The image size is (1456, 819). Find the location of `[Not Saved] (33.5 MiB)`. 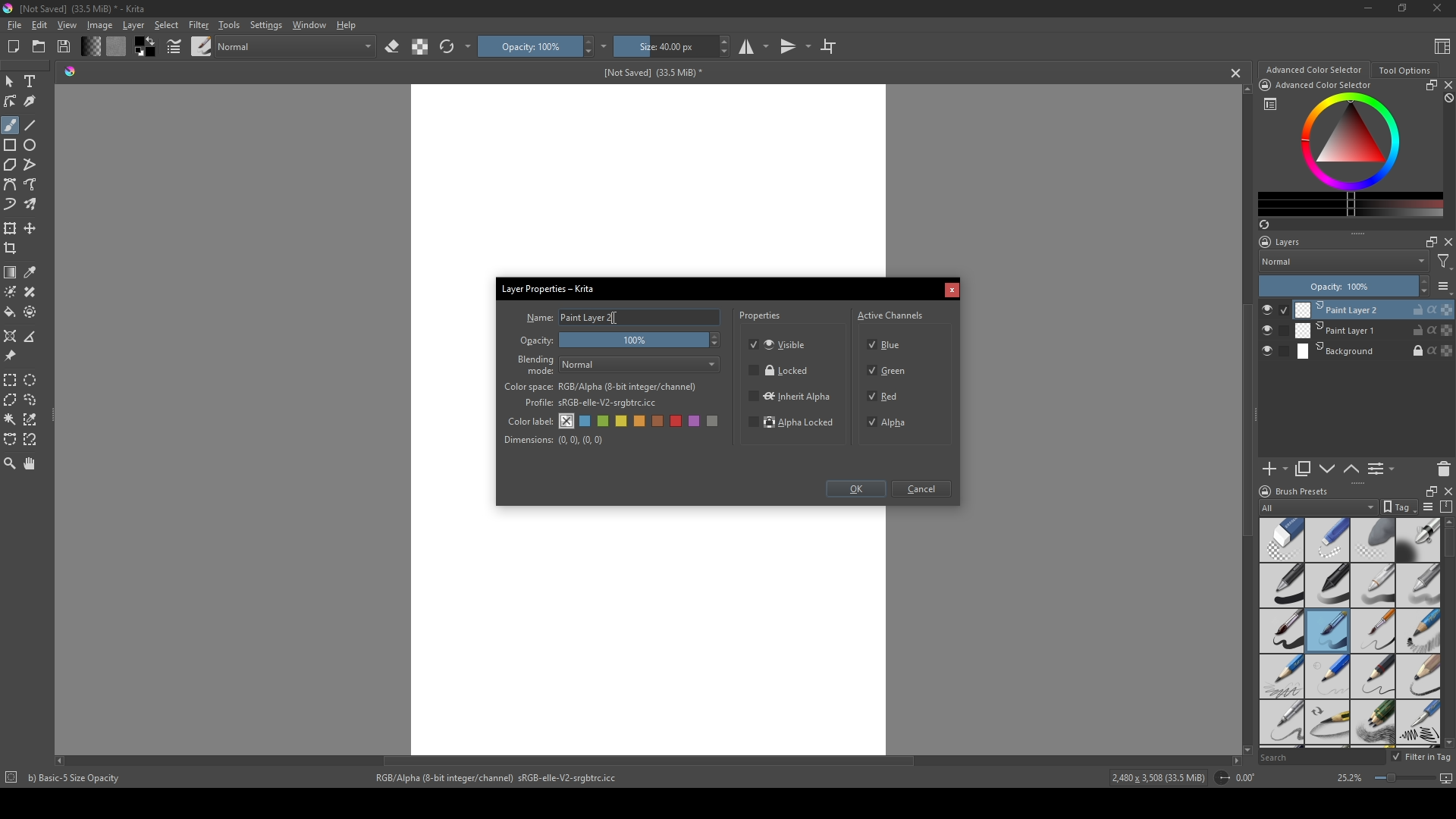

[Not Saved] (33.5 MiB) is located at coordinates (650, 73).